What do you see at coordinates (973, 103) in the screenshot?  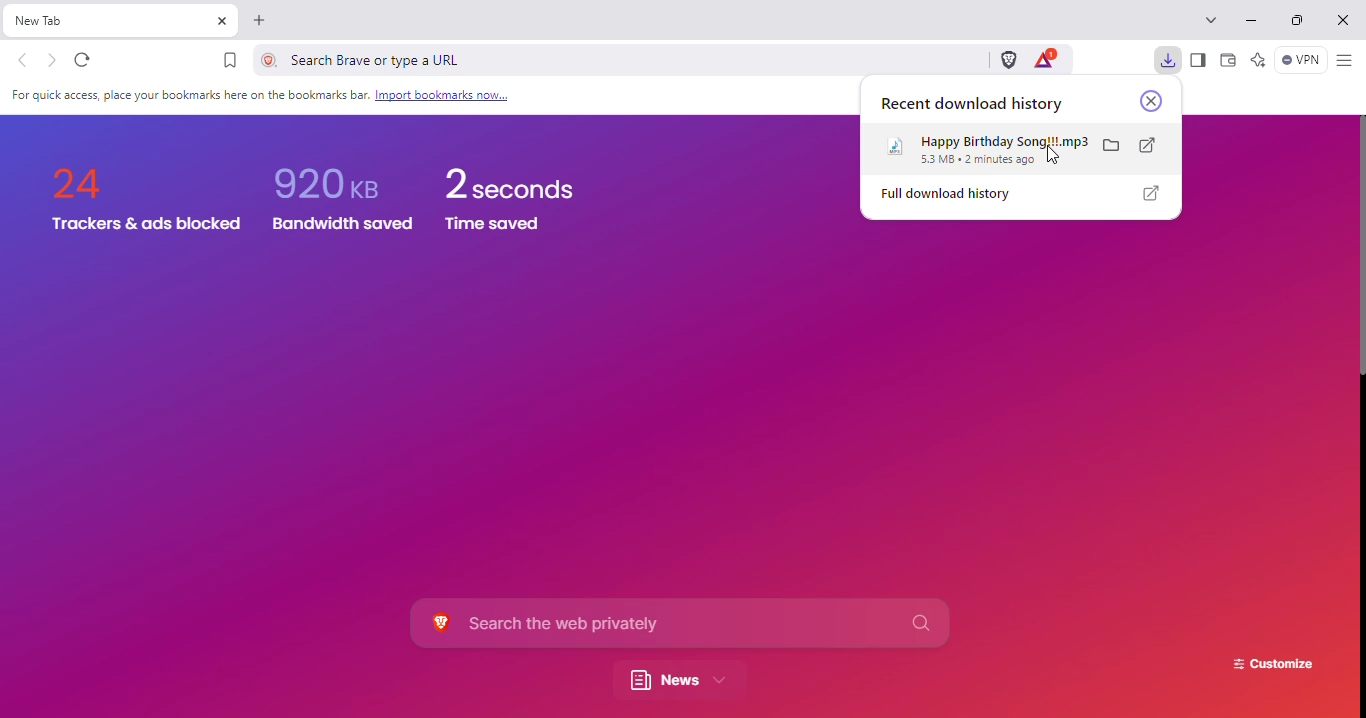 I see `recent download history` at bounding box center [973, 103].